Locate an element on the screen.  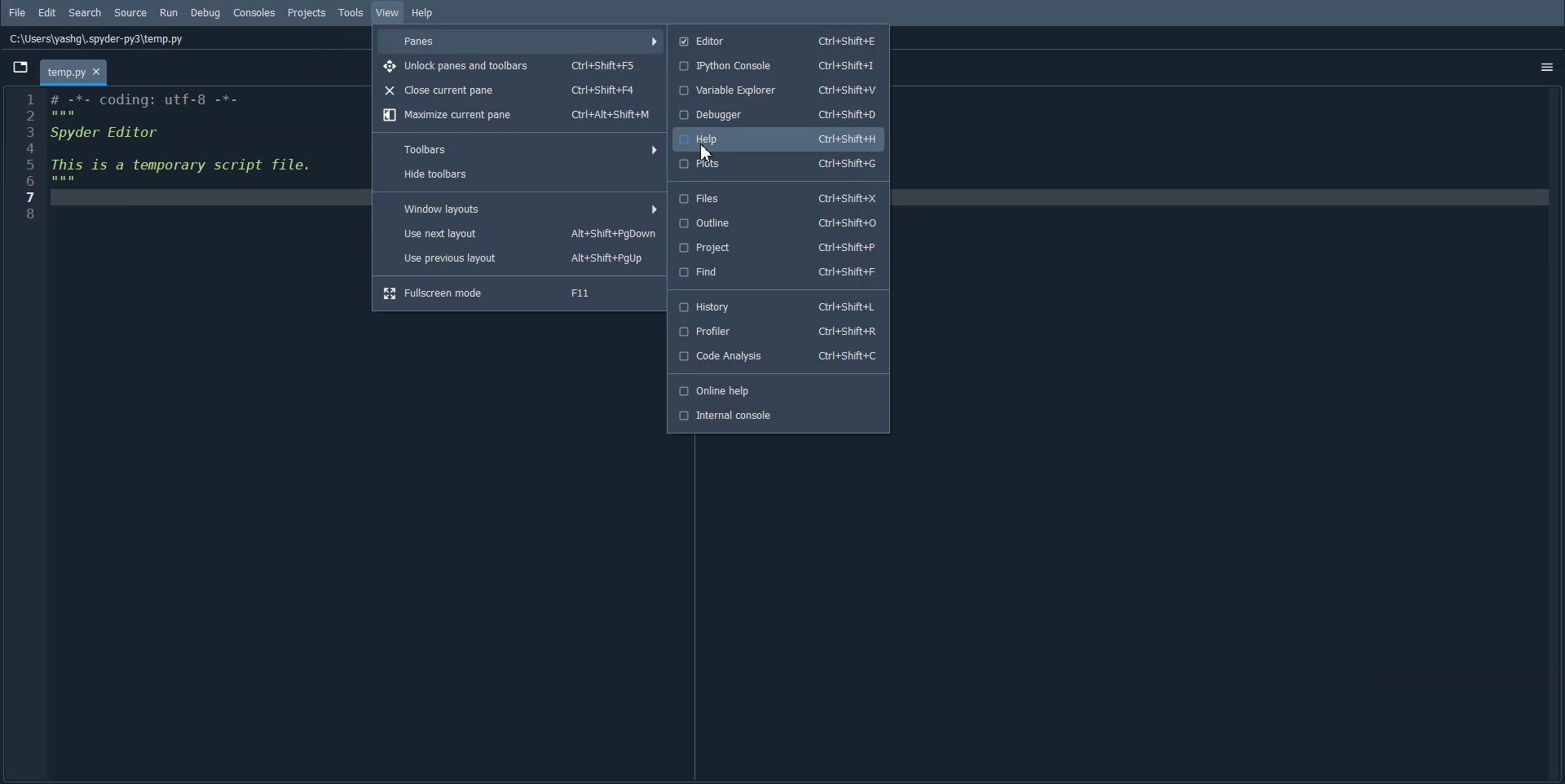
Online help is located at coordinates (778, 390).